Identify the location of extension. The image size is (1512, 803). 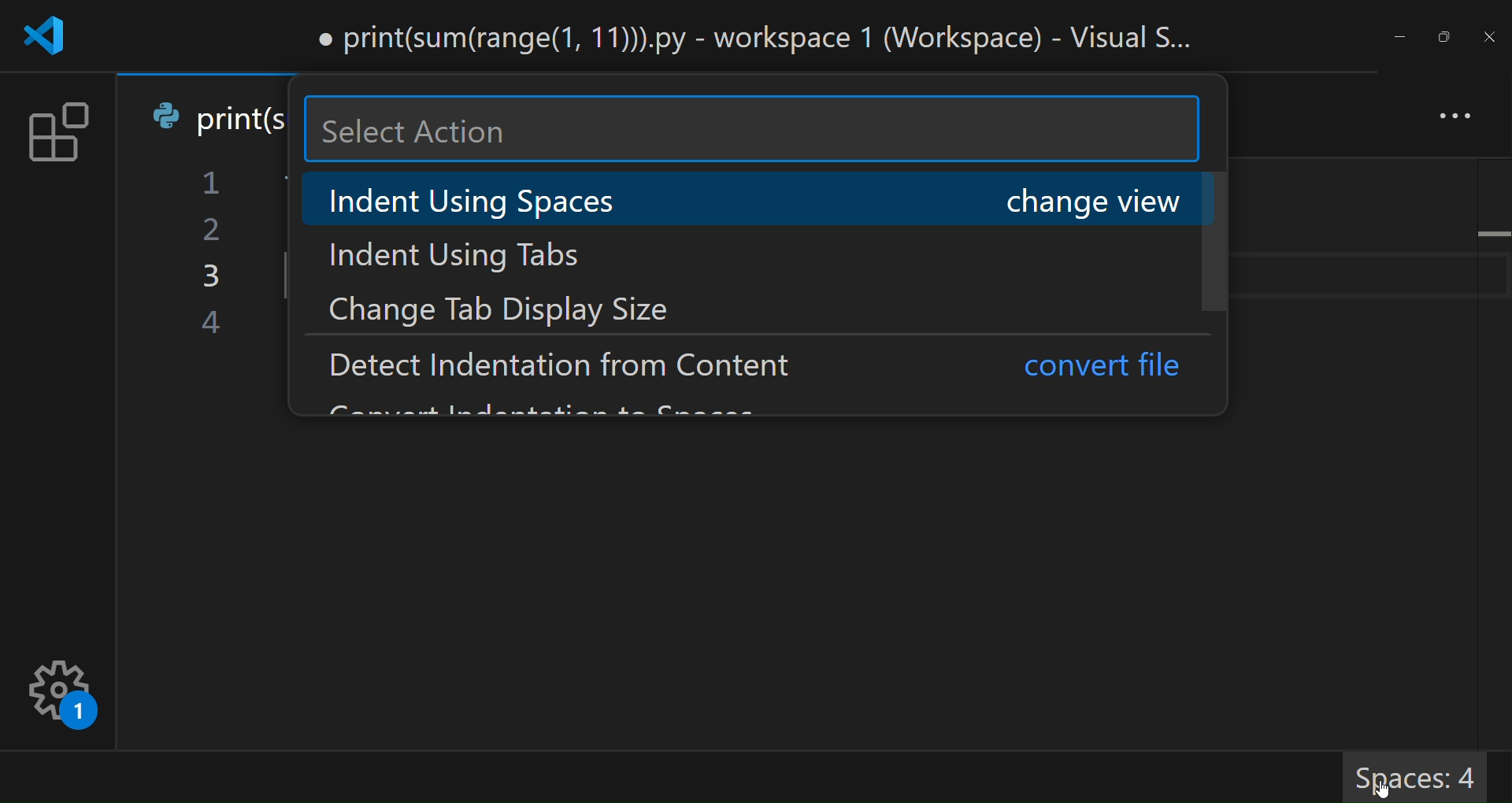
(57, 136).